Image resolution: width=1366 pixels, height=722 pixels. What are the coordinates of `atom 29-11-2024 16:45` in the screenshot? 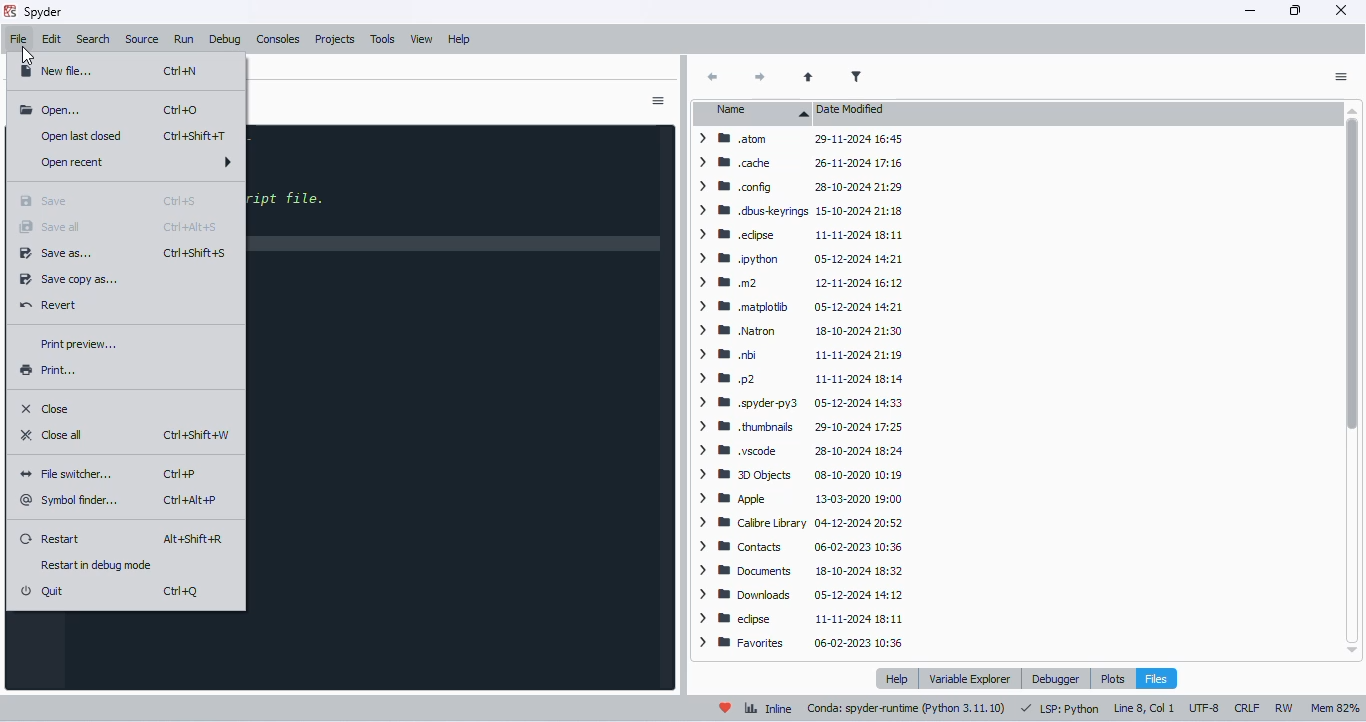 It's located at (797, 138).